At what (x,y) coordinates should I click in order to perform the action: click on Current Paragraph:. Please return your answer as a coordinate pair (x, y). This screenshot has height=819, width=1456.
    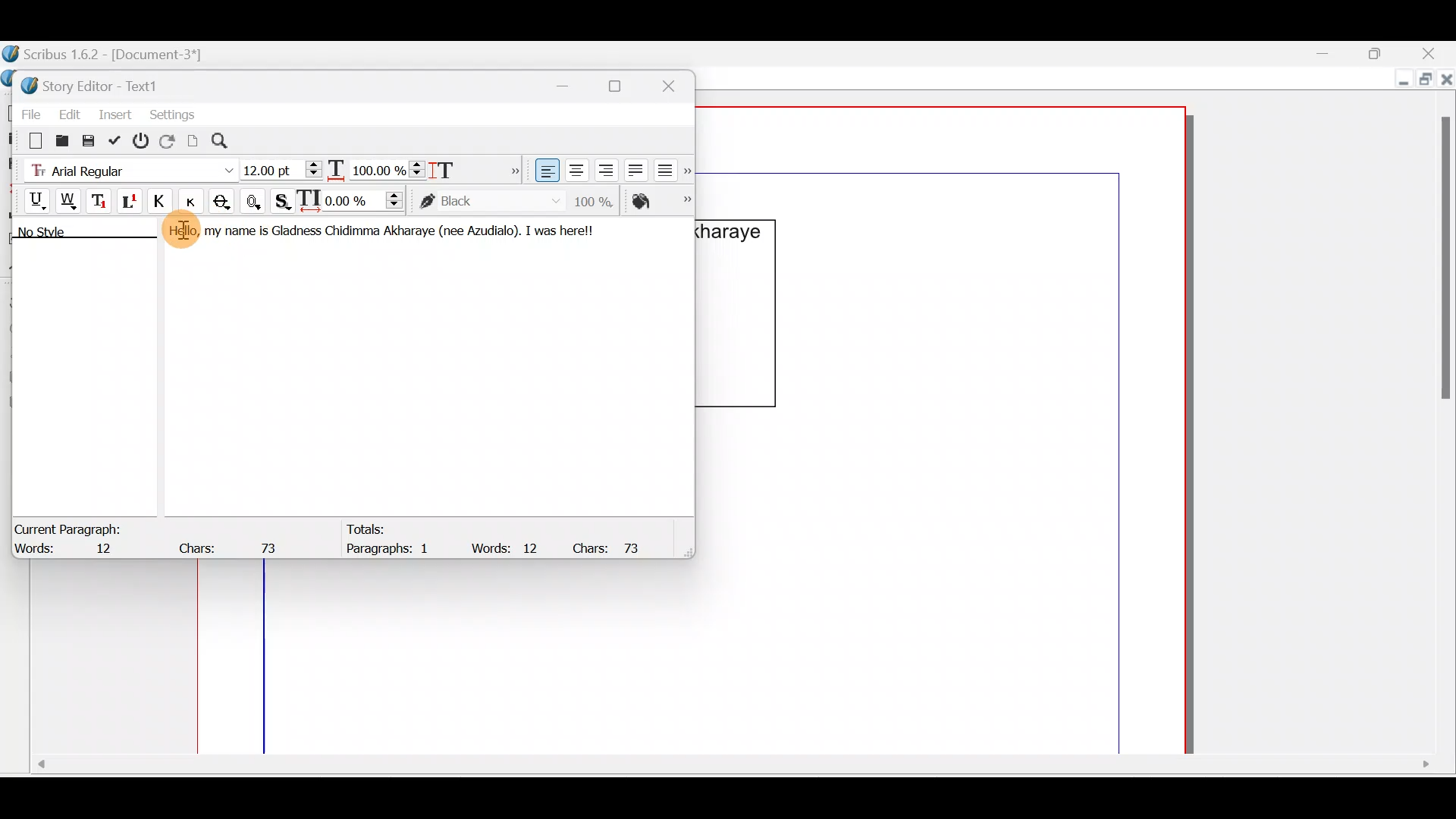
    Looking at the image, I should click on (70, 527).